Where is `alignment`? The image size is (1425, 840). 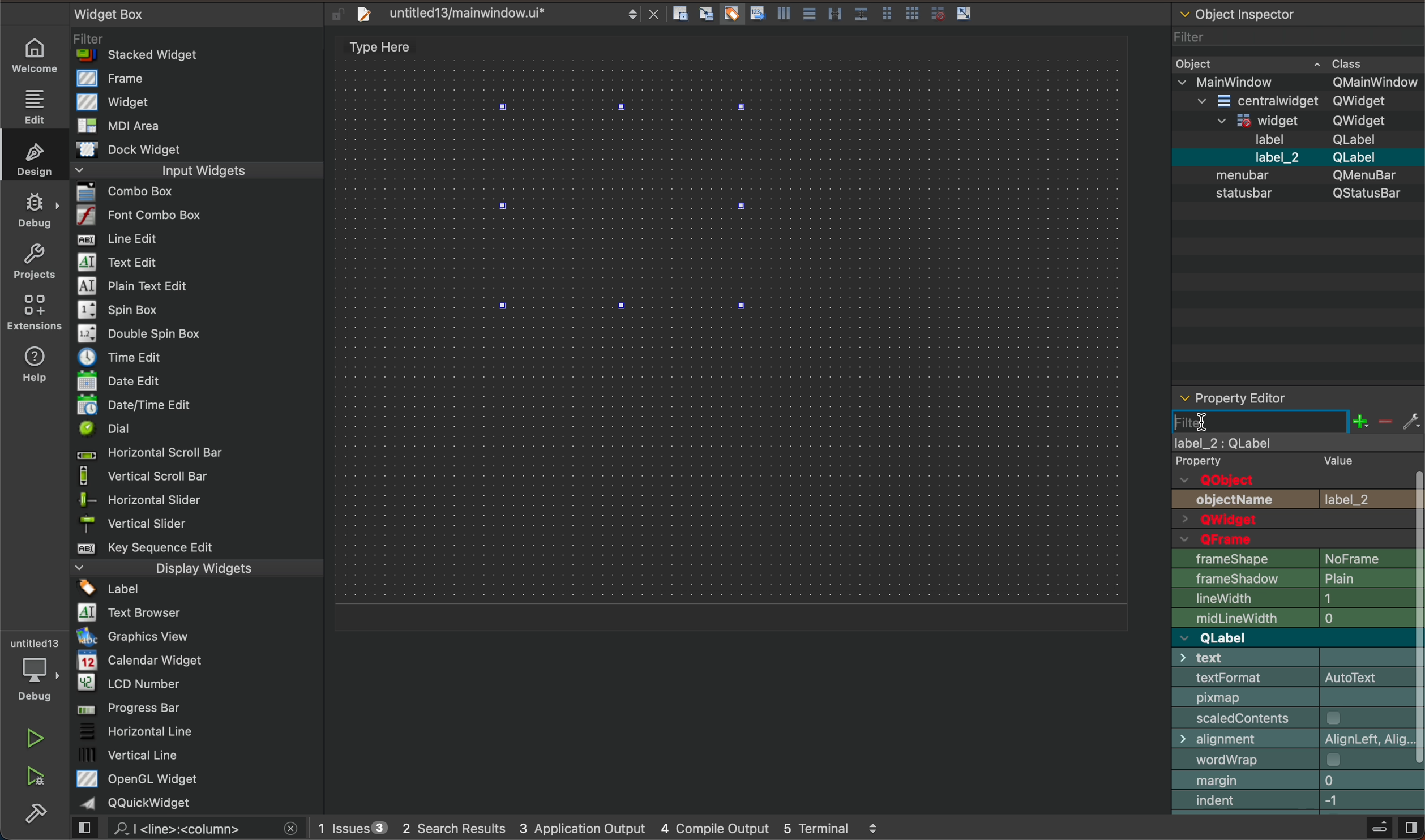
alignment is located at coordinates (1299, 738).